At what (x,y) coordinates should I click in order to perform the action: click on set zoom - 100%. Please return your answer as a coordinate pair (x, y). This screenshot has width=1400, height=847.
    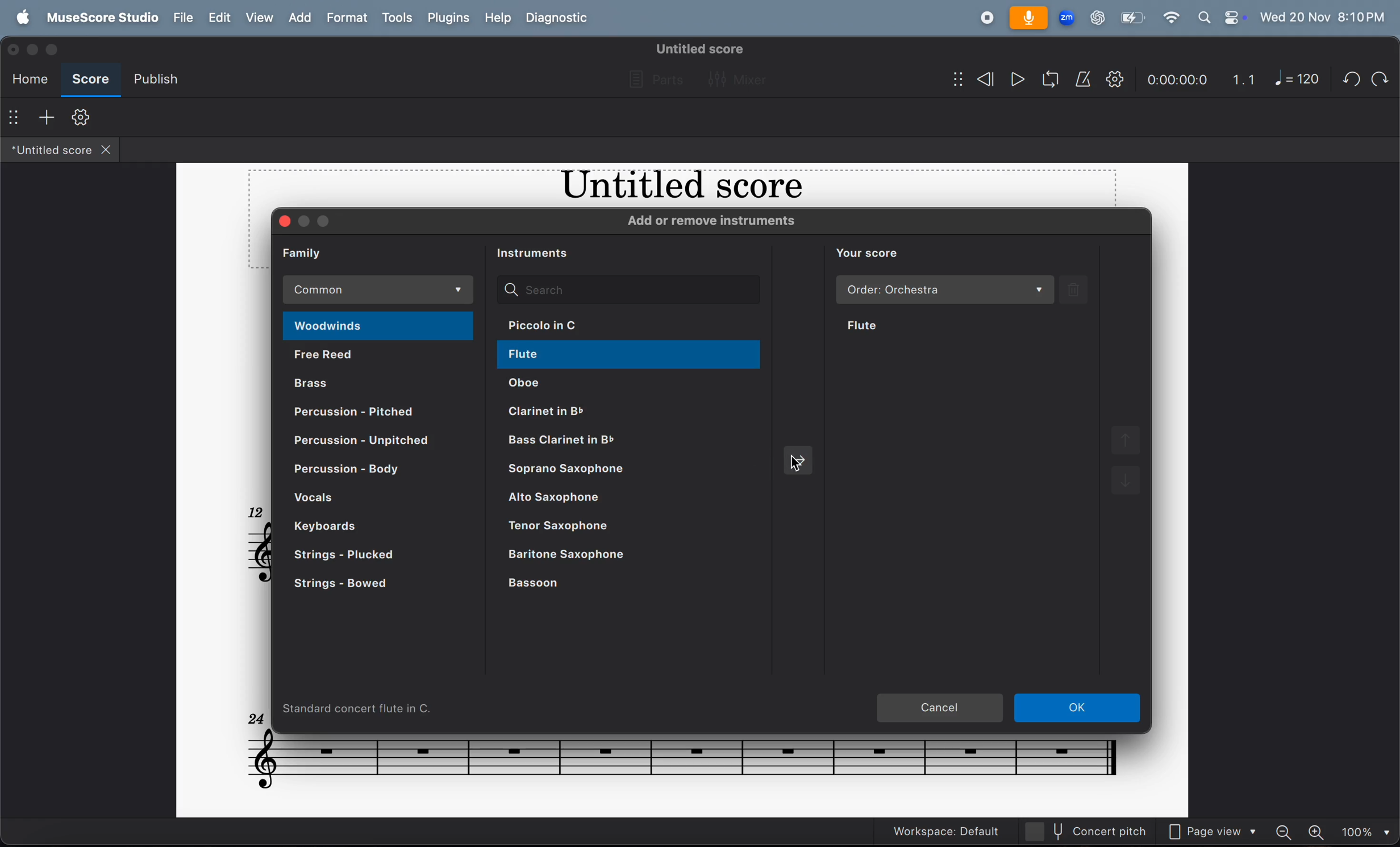
    Looking at the image, I should click on (1364, 831).